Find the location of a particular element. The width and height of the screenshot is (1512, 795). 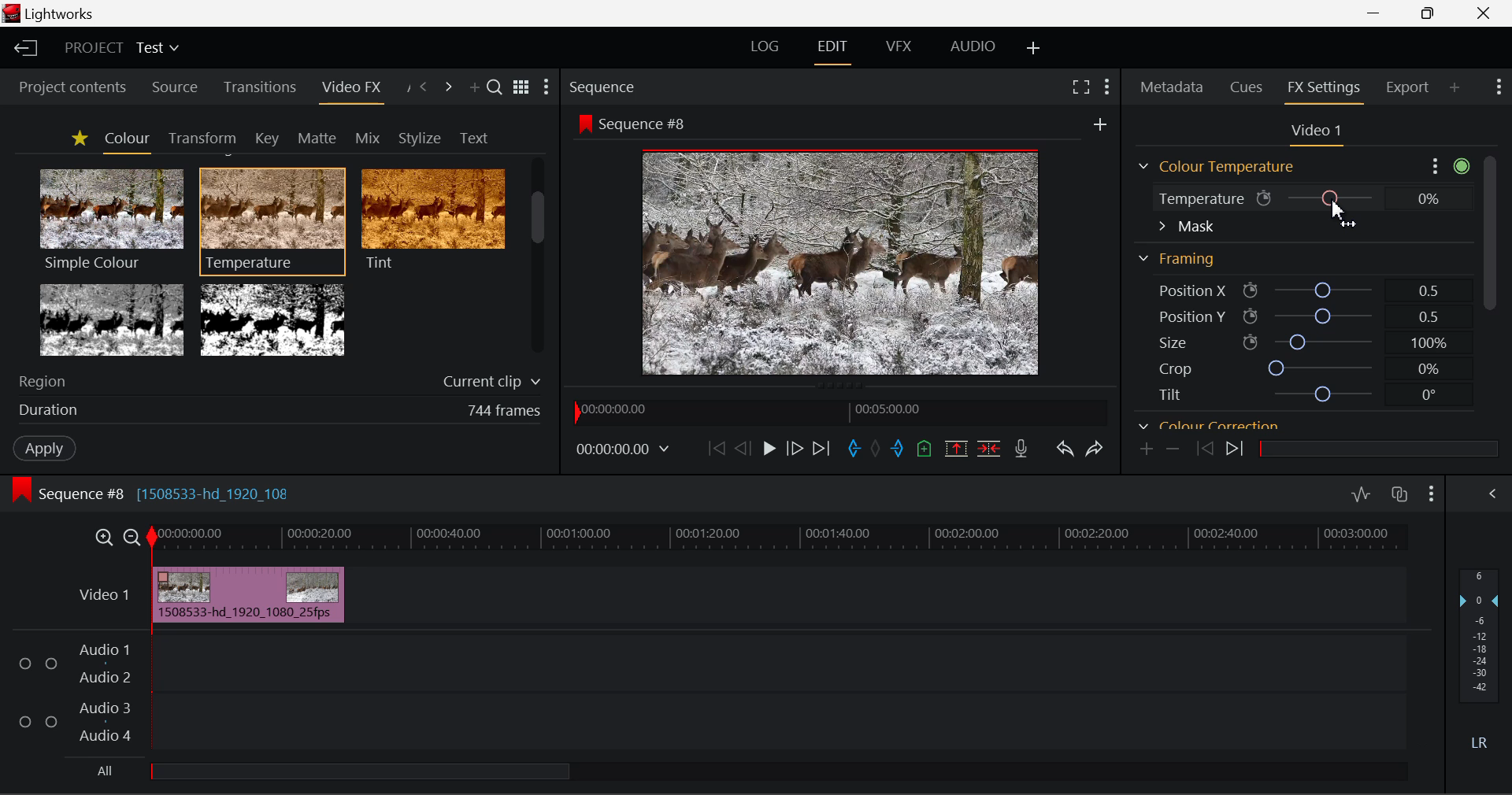

Go Back is located at coordinates (743, 449).